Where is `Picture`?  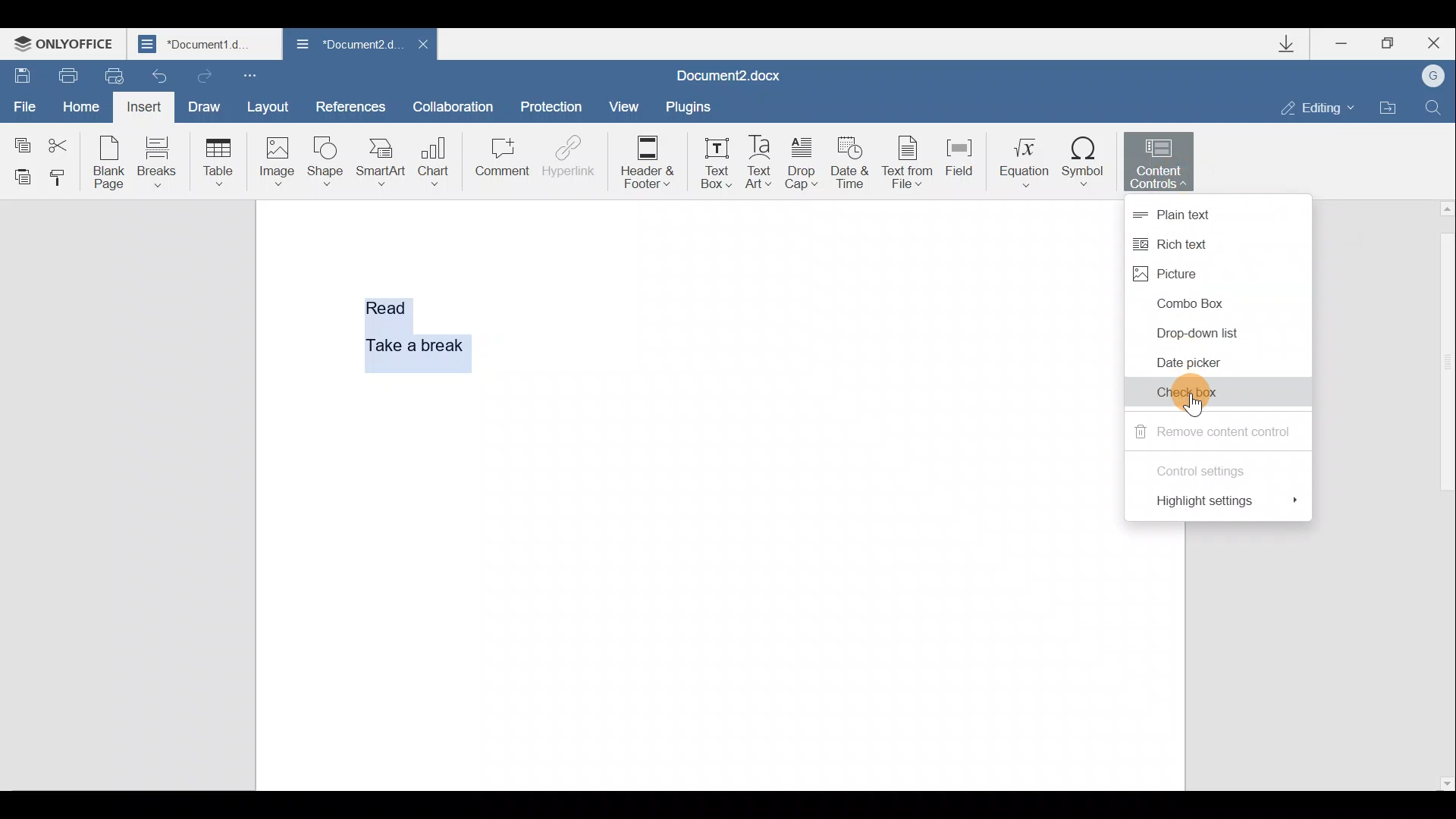
Picture is located at coordinates (1194, 273).